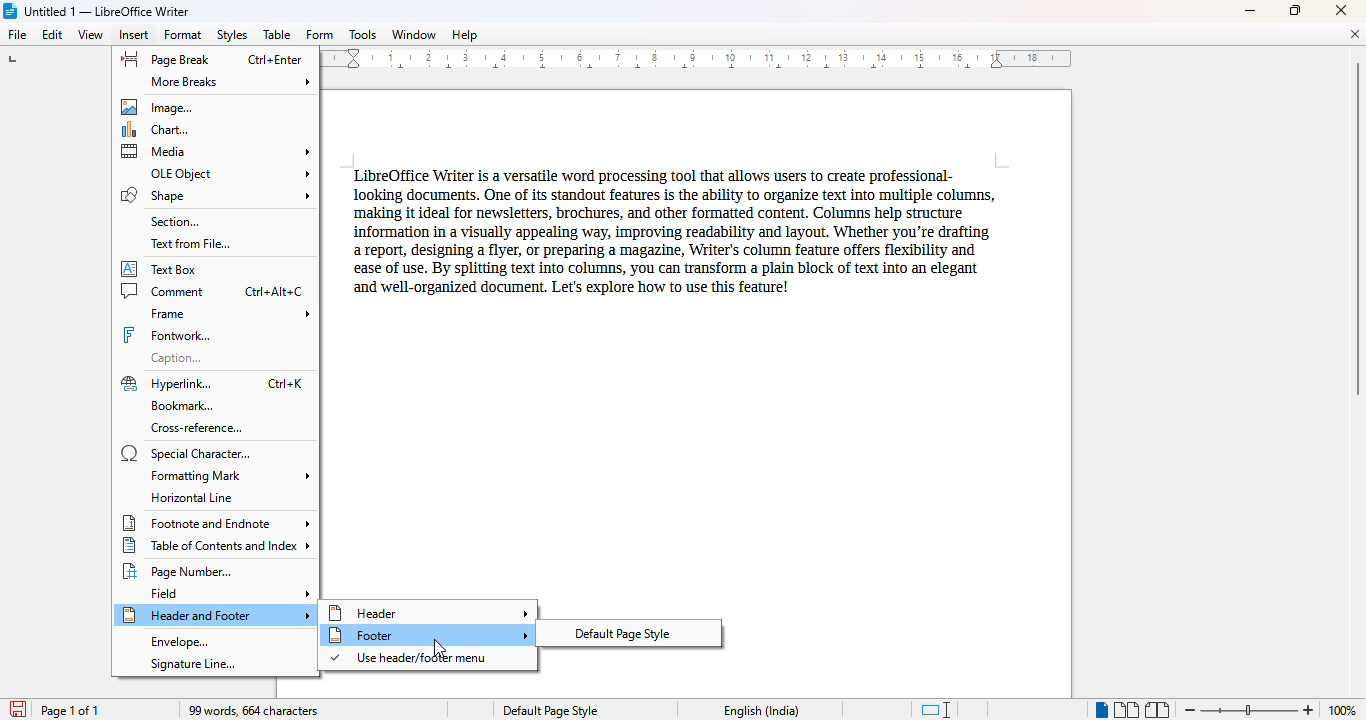  I want to click on close documemt, so click(1355, 34).